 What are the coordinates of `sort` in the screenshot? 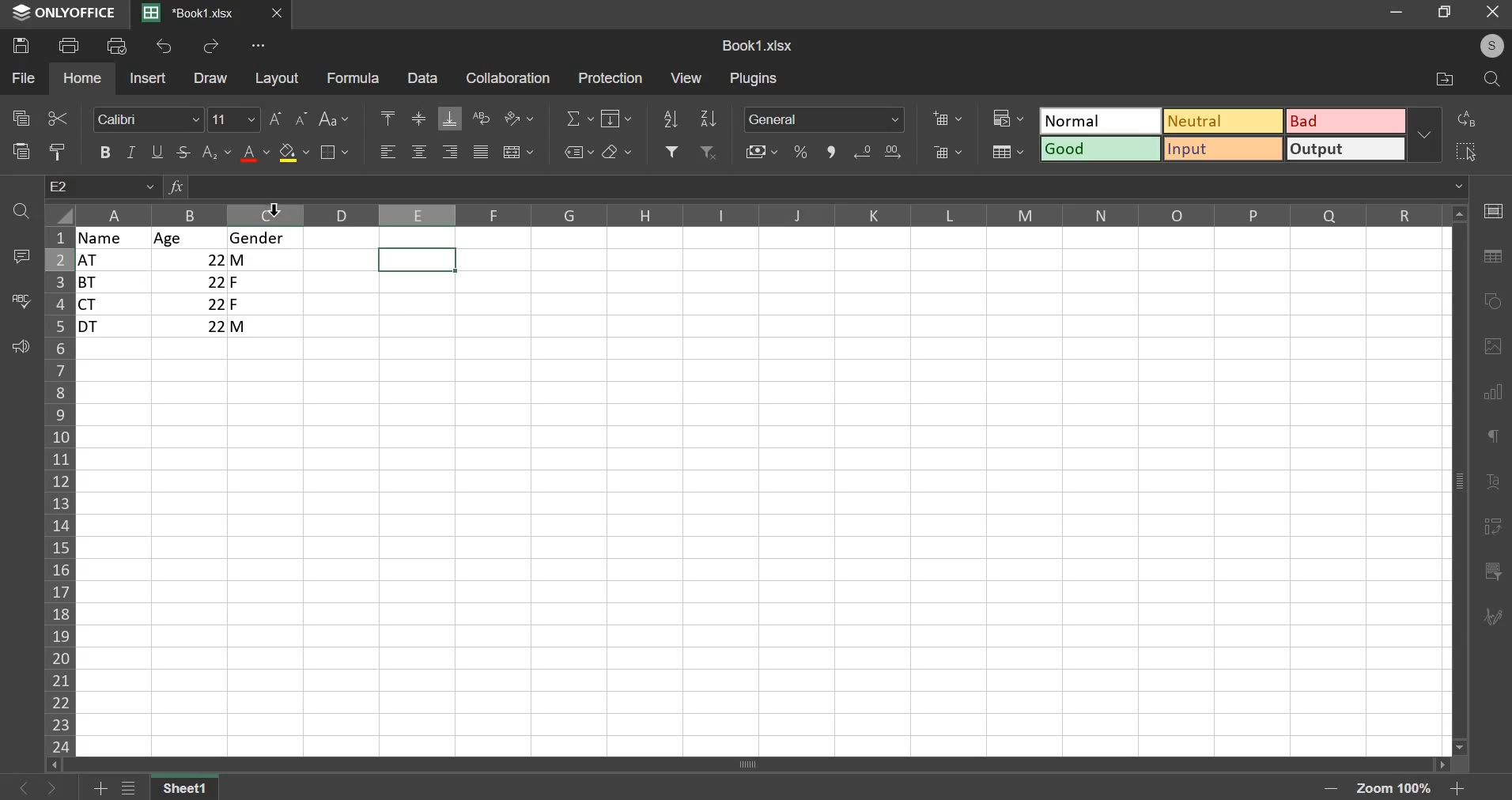 It's located at (669, 119).